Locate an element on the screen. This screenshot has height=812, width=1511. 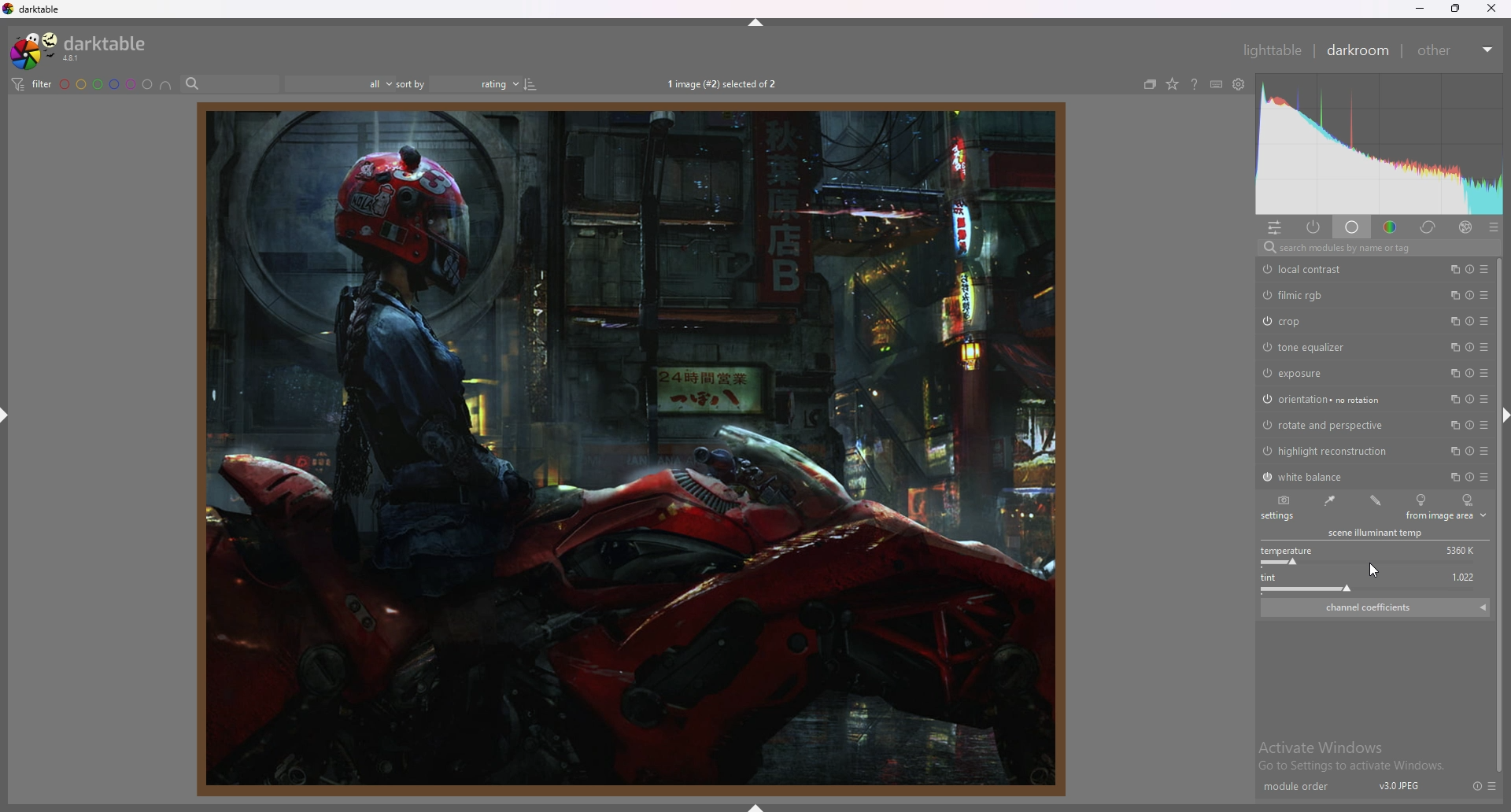
local contrast is located at coordinates (1310, 270).